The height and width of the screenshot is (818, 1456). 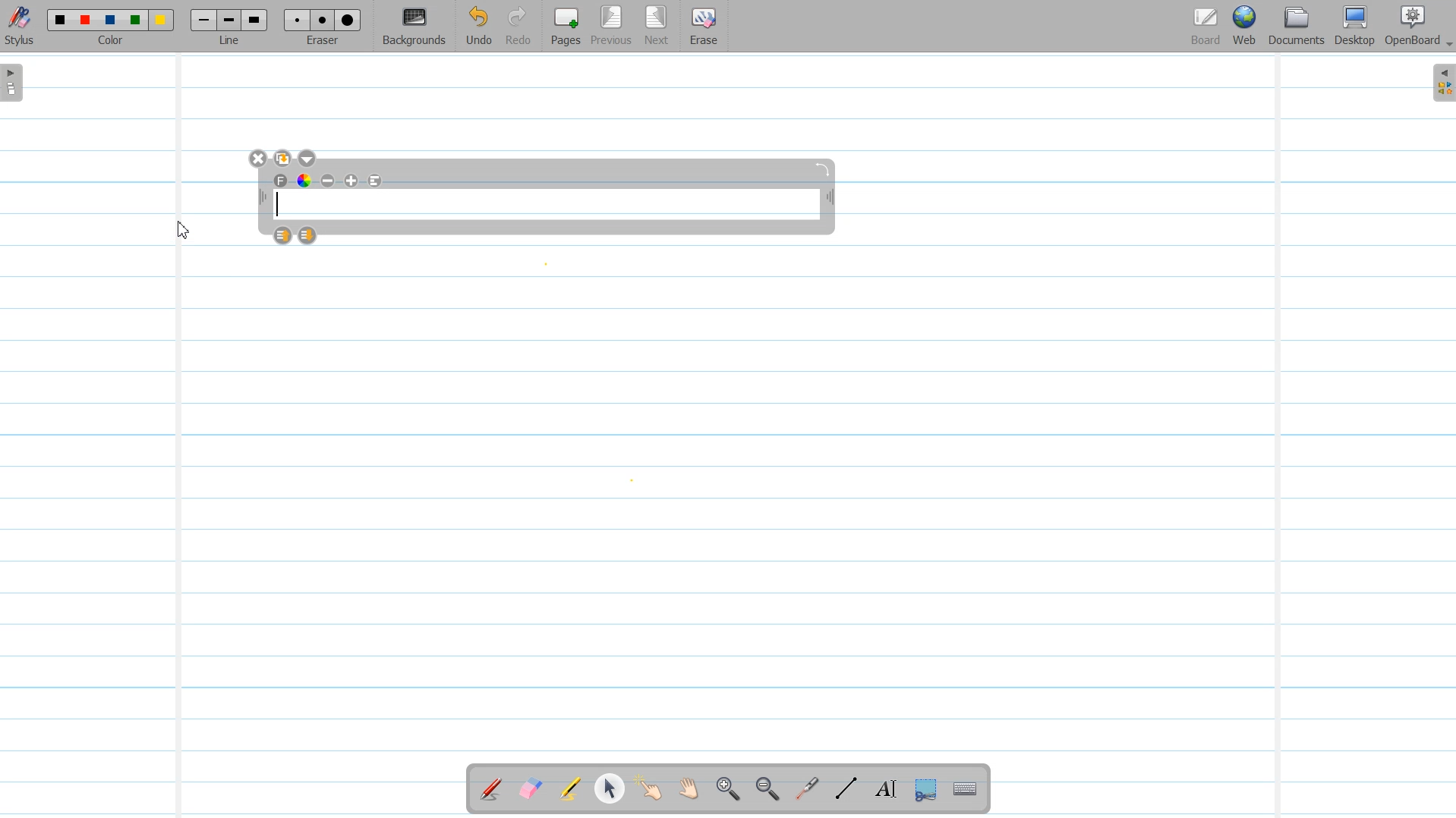 What do you see at coordinates (329, 181) in the screenshot?
I see `Minimize text size` at bounding box center [329, 181].